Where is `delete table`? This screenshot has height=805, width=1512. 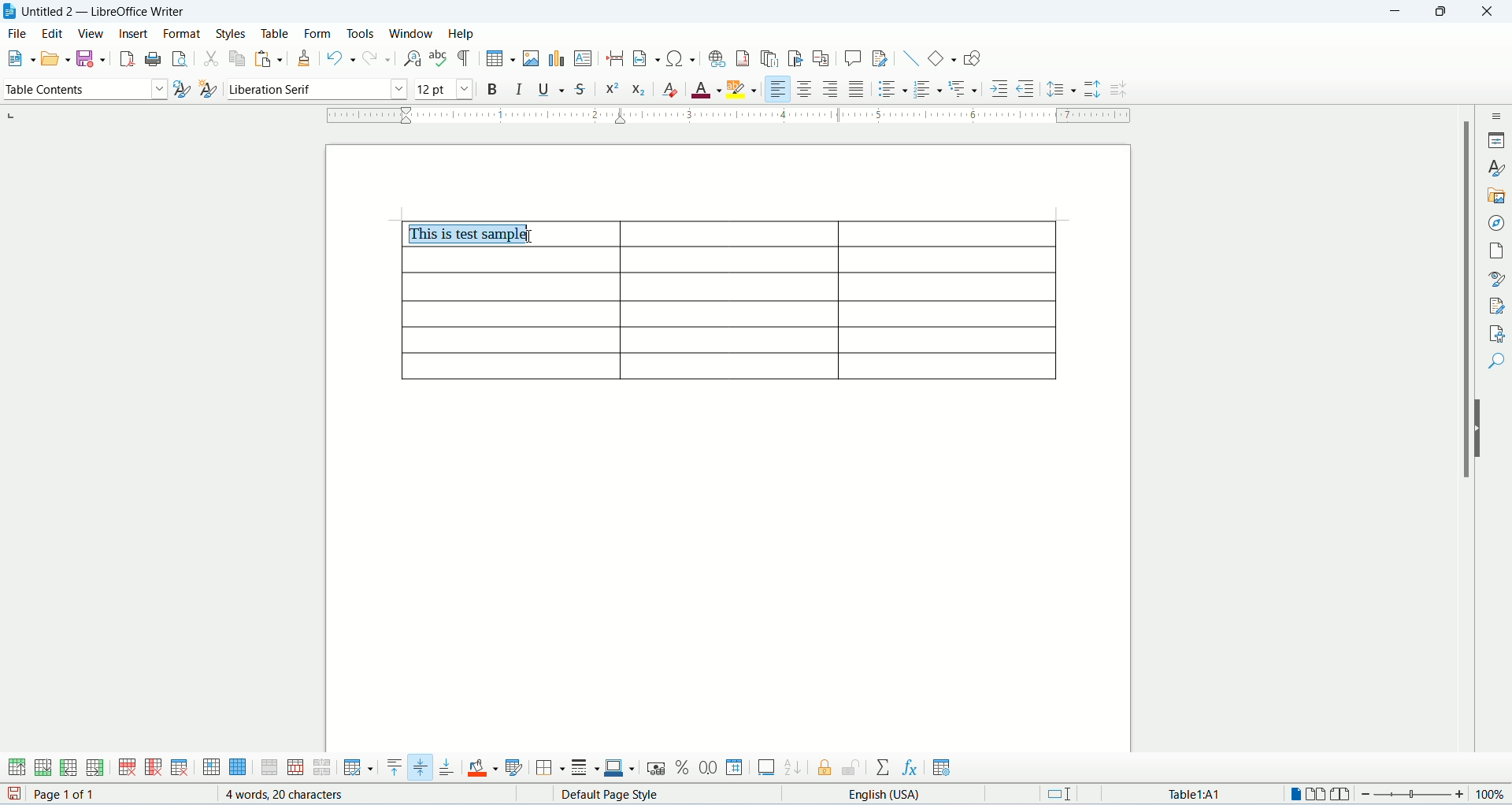 delete table is located at coordinates (180, 766).